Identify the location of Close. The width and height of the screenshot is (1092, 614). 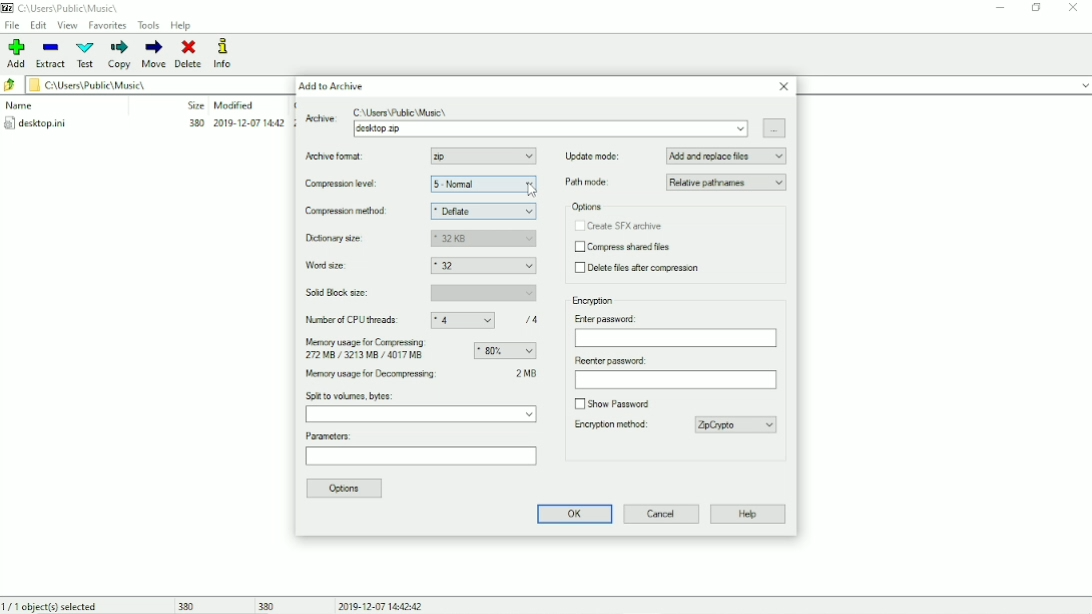
(1074, 7).